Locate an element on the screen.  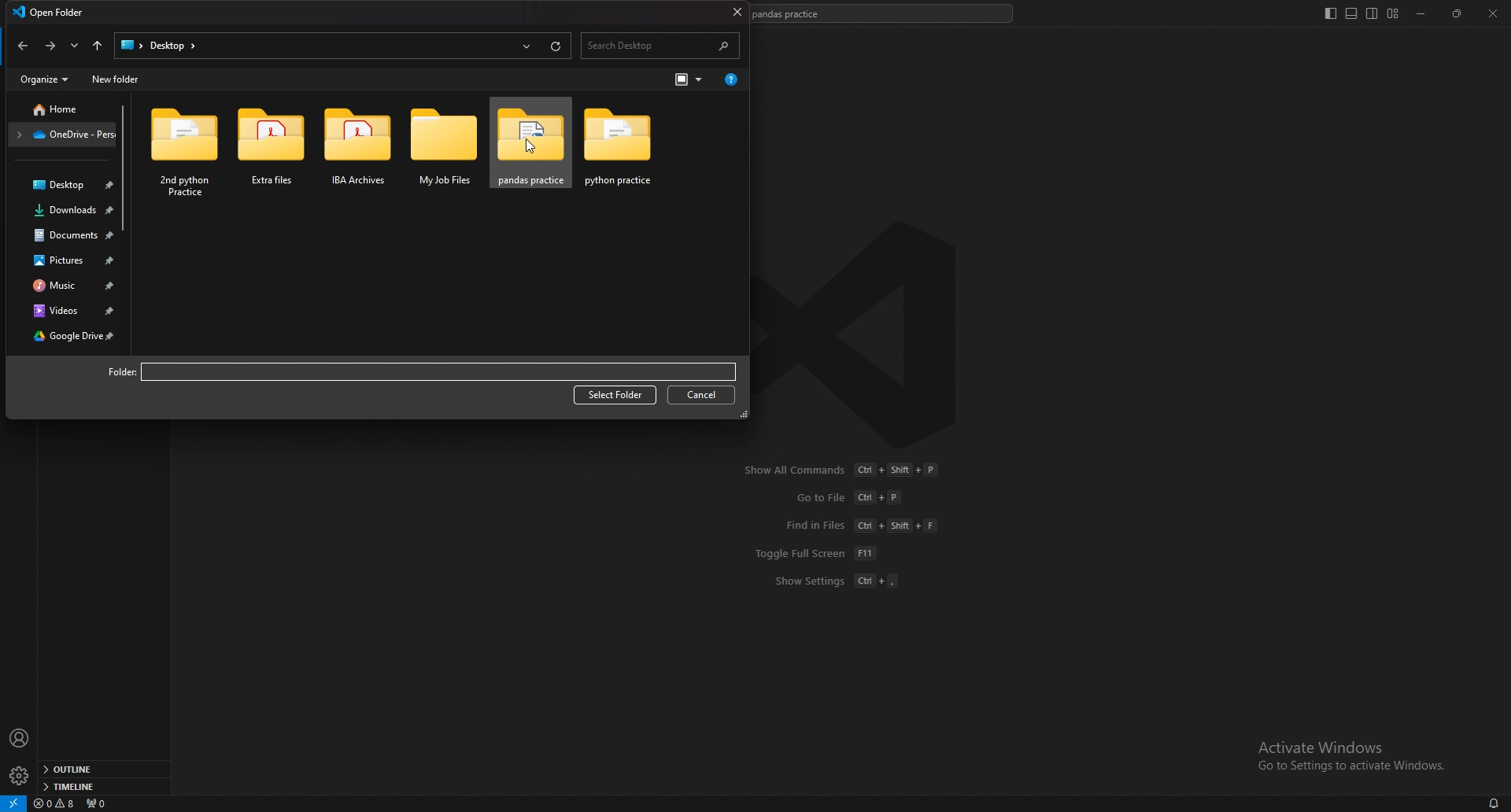
extra files is located at coordinates (261, 154).